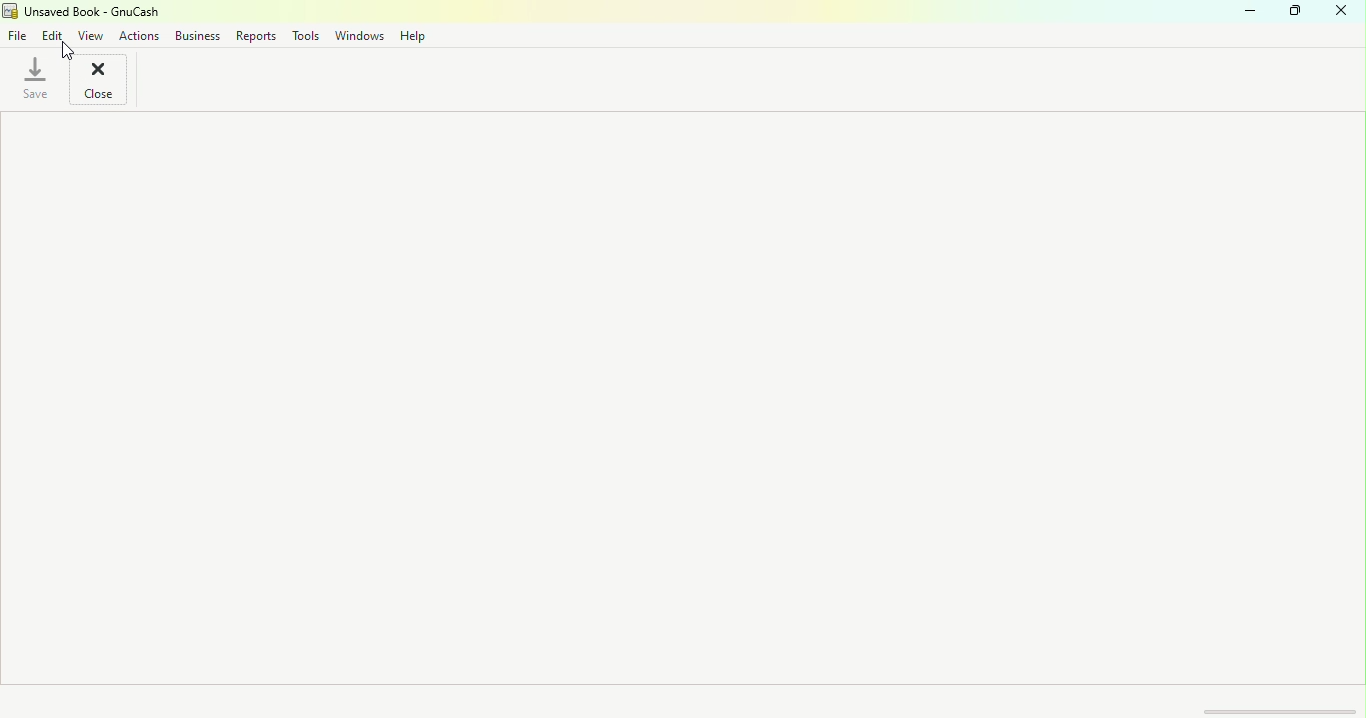  What do you see at coordinates (55, 37) in the screenshot?
I see `Edit` at bounding box center [55, 37].